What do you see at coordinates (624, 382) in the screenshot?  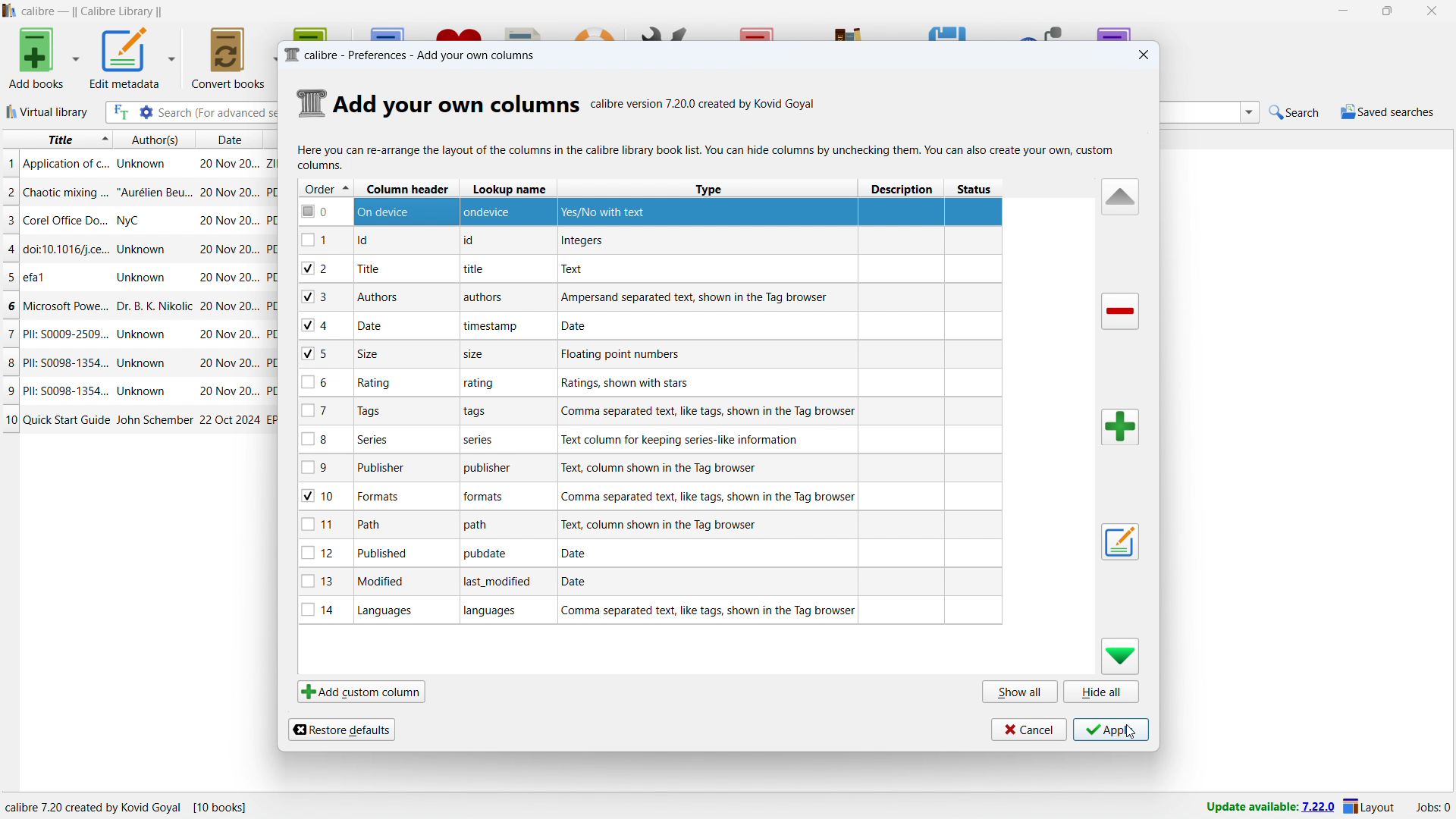 I see `Ratings, shown with stars` at bounding box center [624, 382].